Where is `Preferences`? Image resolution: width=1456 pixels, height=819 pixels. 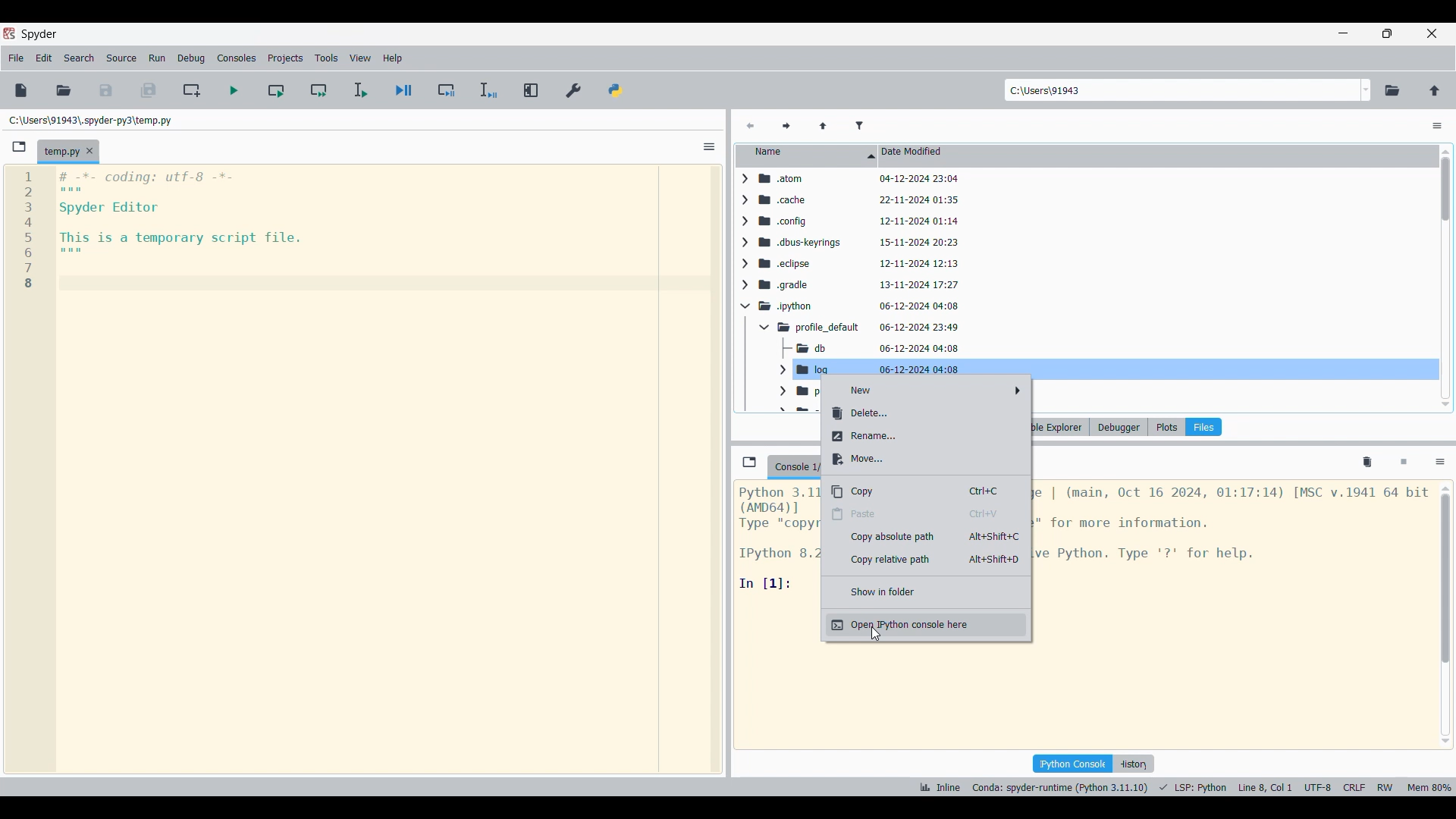
Preferences is located at coordinates (574, 91).